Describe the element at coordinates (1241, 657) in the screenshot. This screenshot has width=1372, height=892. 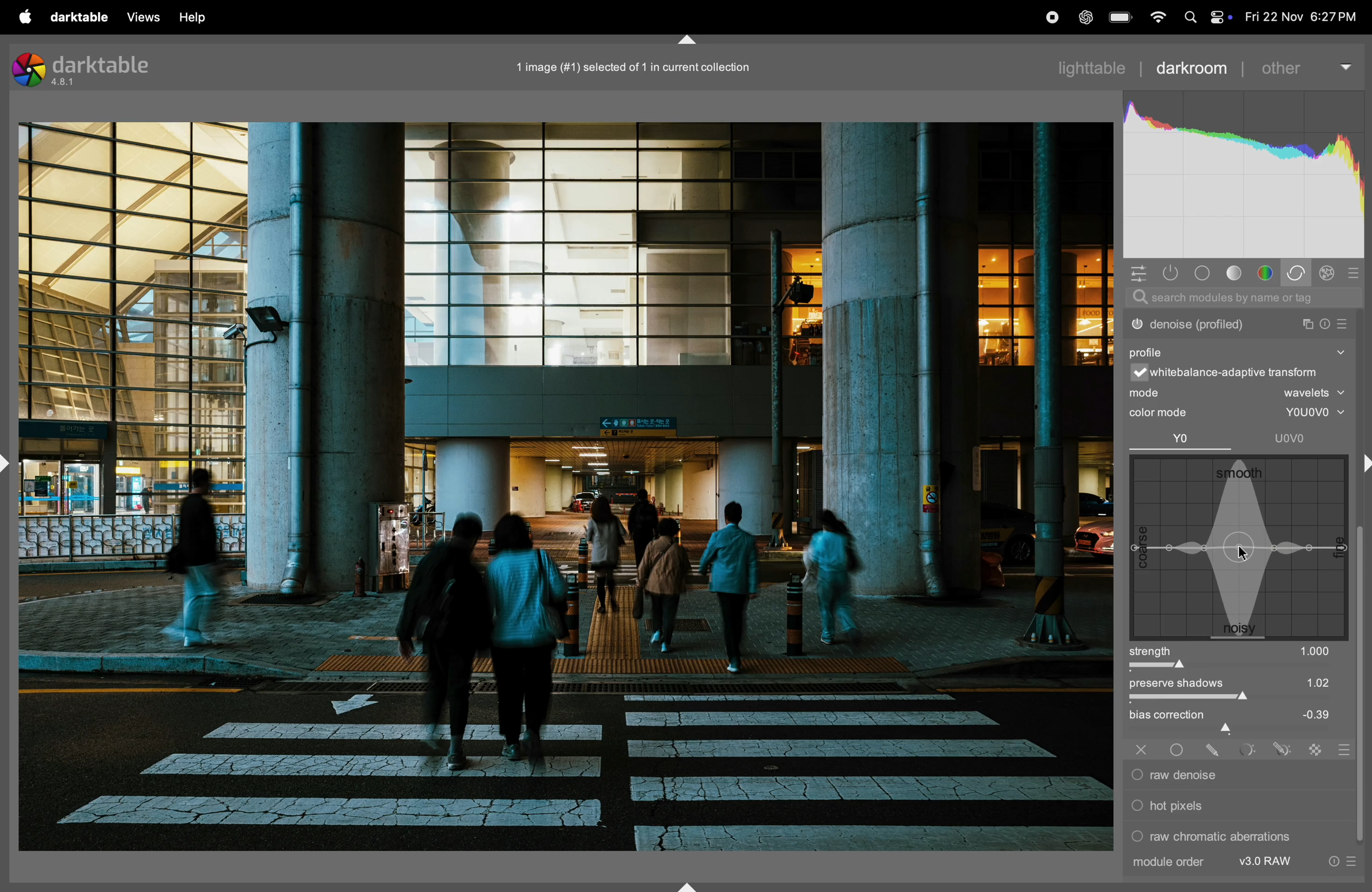
I see `strength` at that location.